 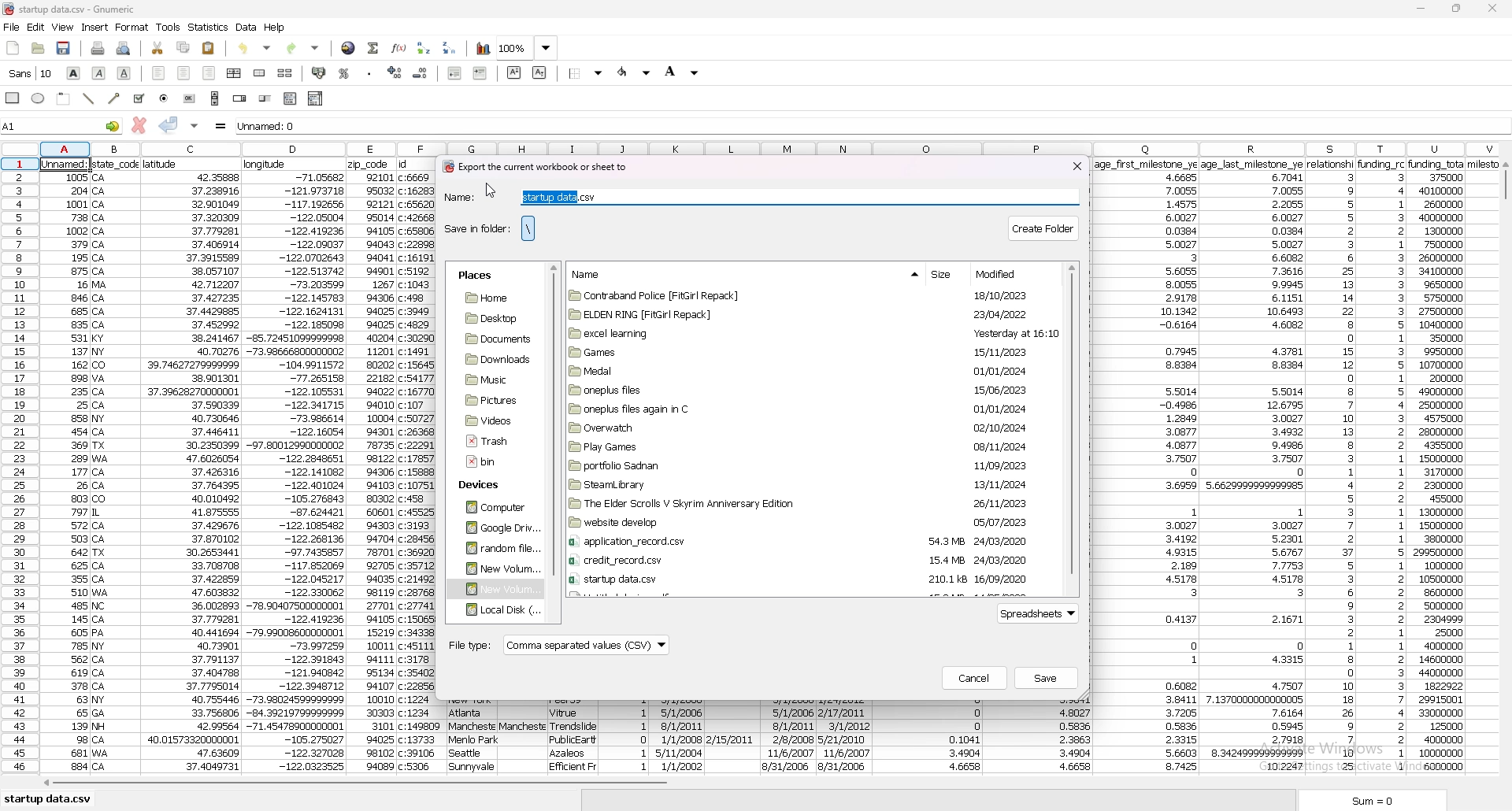 I want to click on scroll bar, so click(x=1504, y=472).